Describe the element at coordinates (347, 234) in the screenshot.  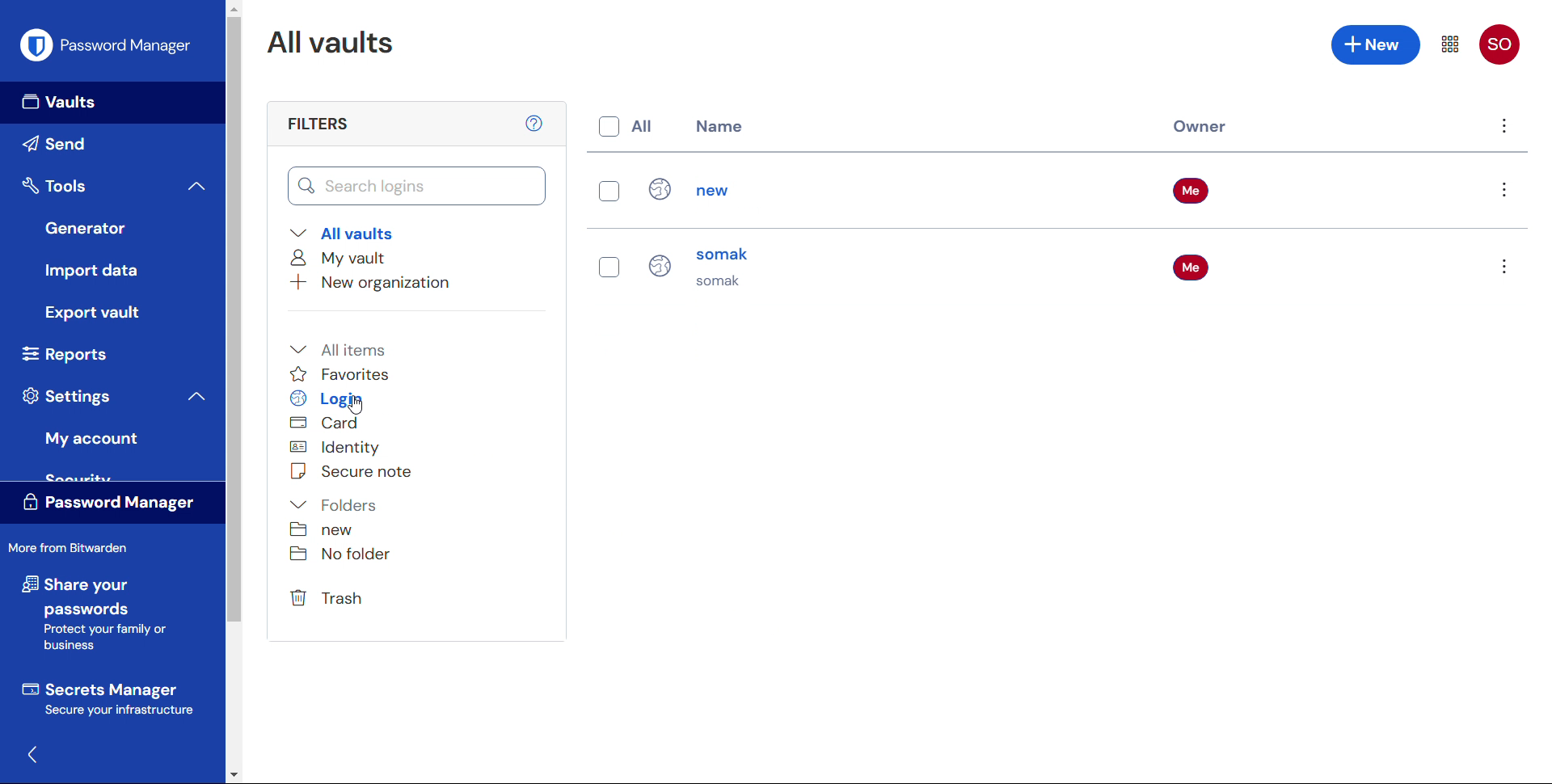
I see `All vaults ` at that location.